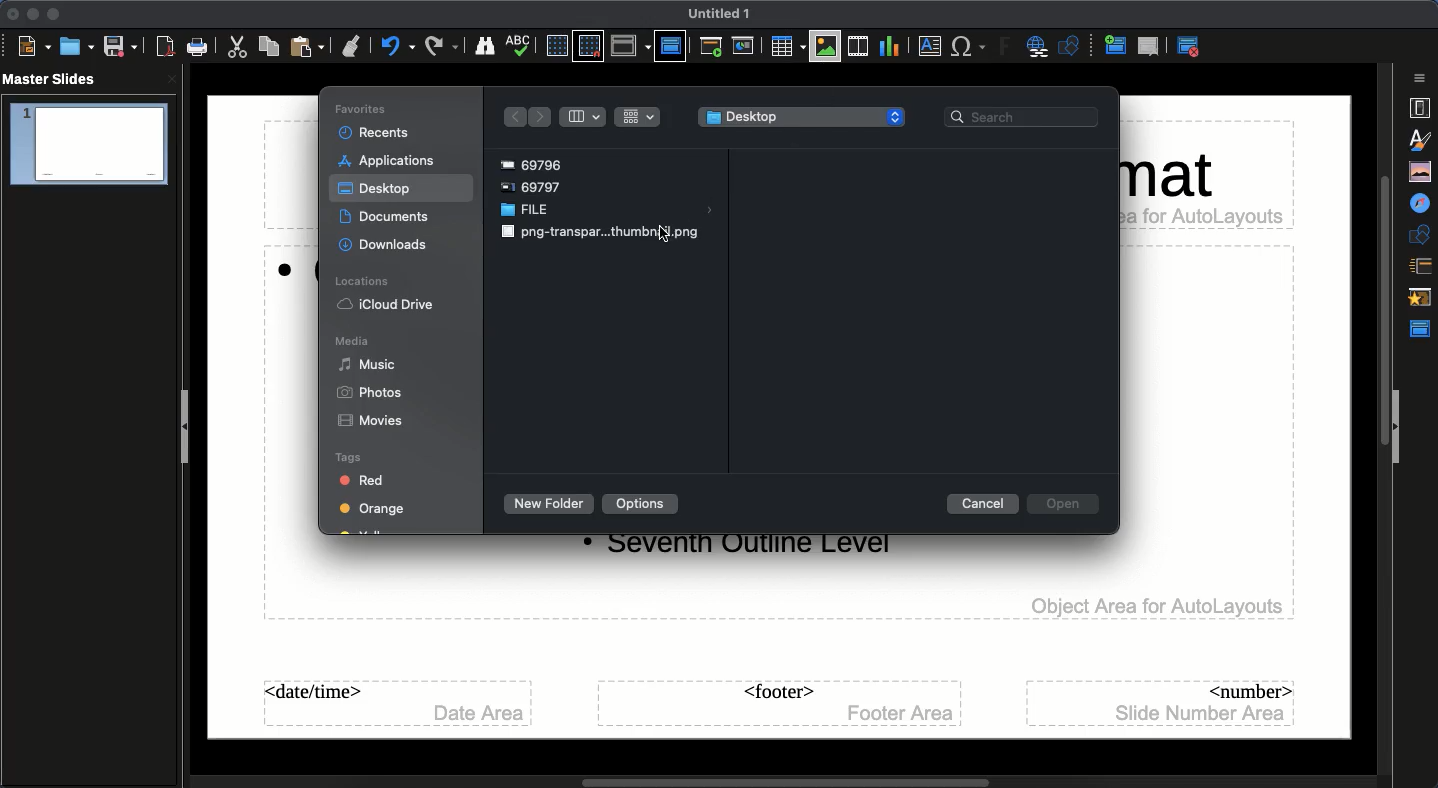  What do you see at coordinates (363, 283) in the screenshot?
I see `Locations` at bounding box center [363, 283].